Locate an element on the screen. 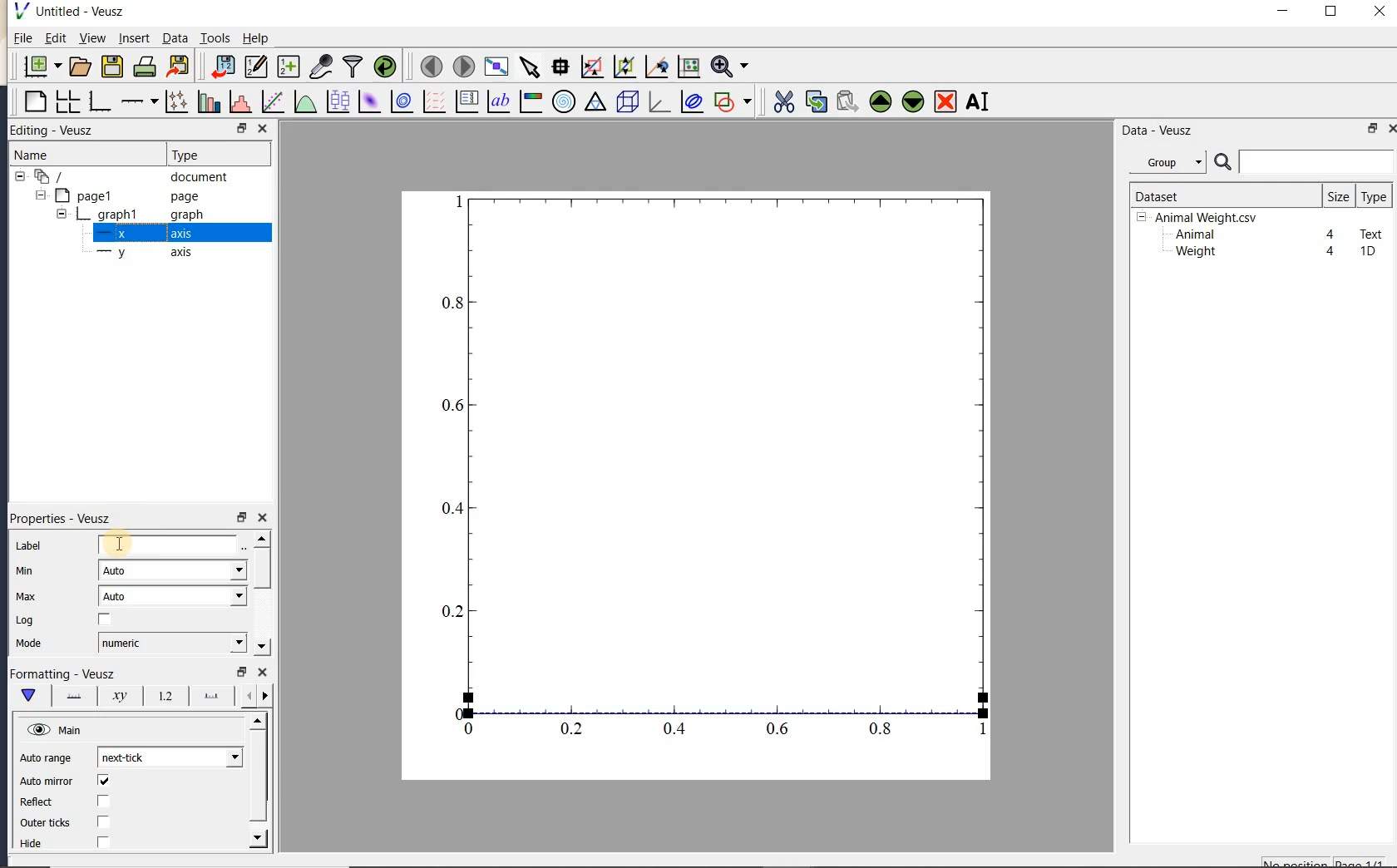 This screenshot has width=1397, height=868. add a shape to the plot is located at coordinates (732, 101).